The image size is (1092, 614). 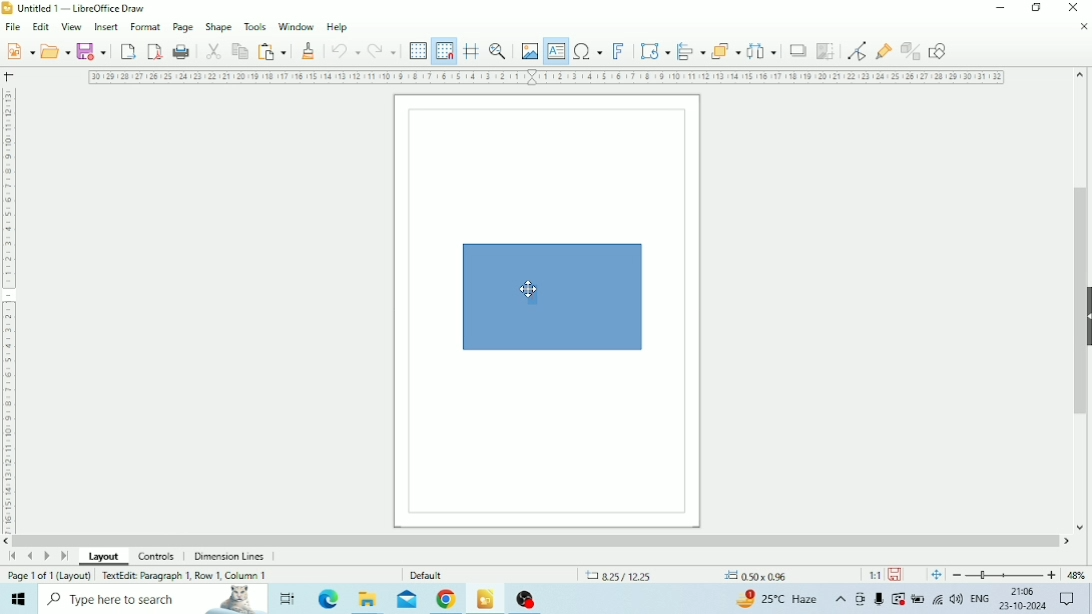 What do you see at coordinates (229, 556) in the screenshot?
I see `Dimension Lines` at bounding box center [229, 556].